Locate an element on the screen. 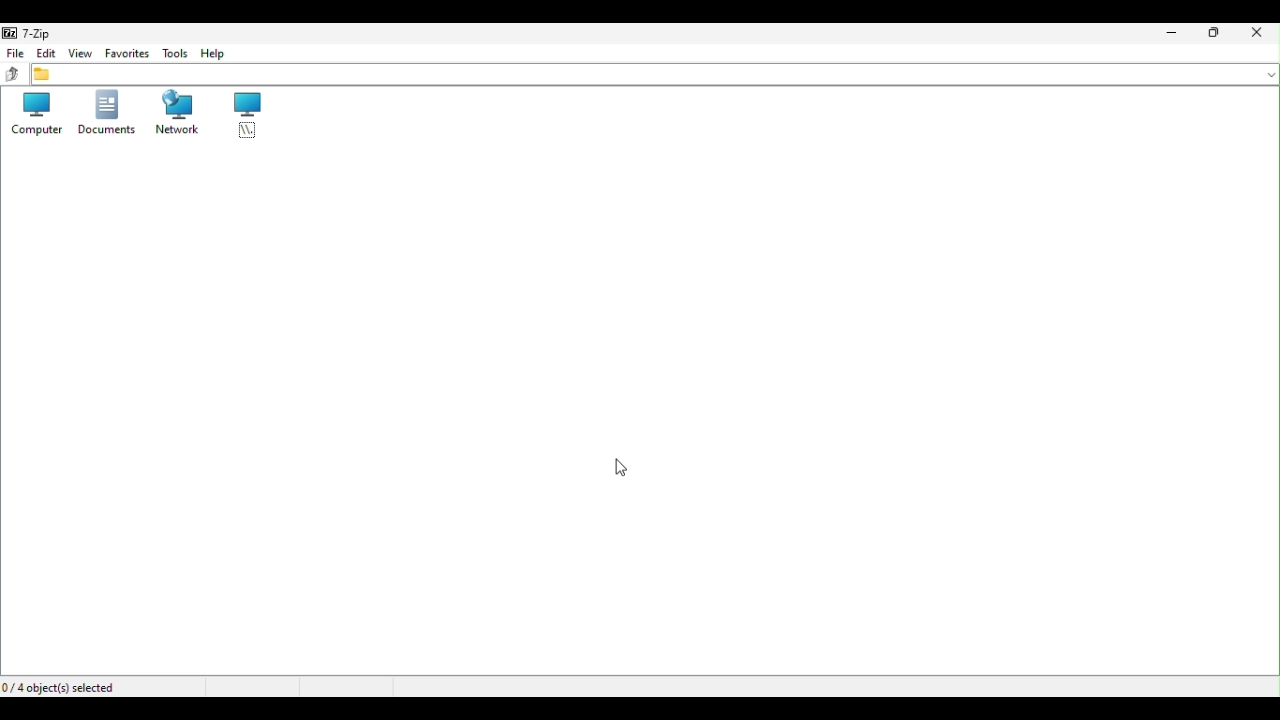  Minimize is located at coordinates (1173, 34).